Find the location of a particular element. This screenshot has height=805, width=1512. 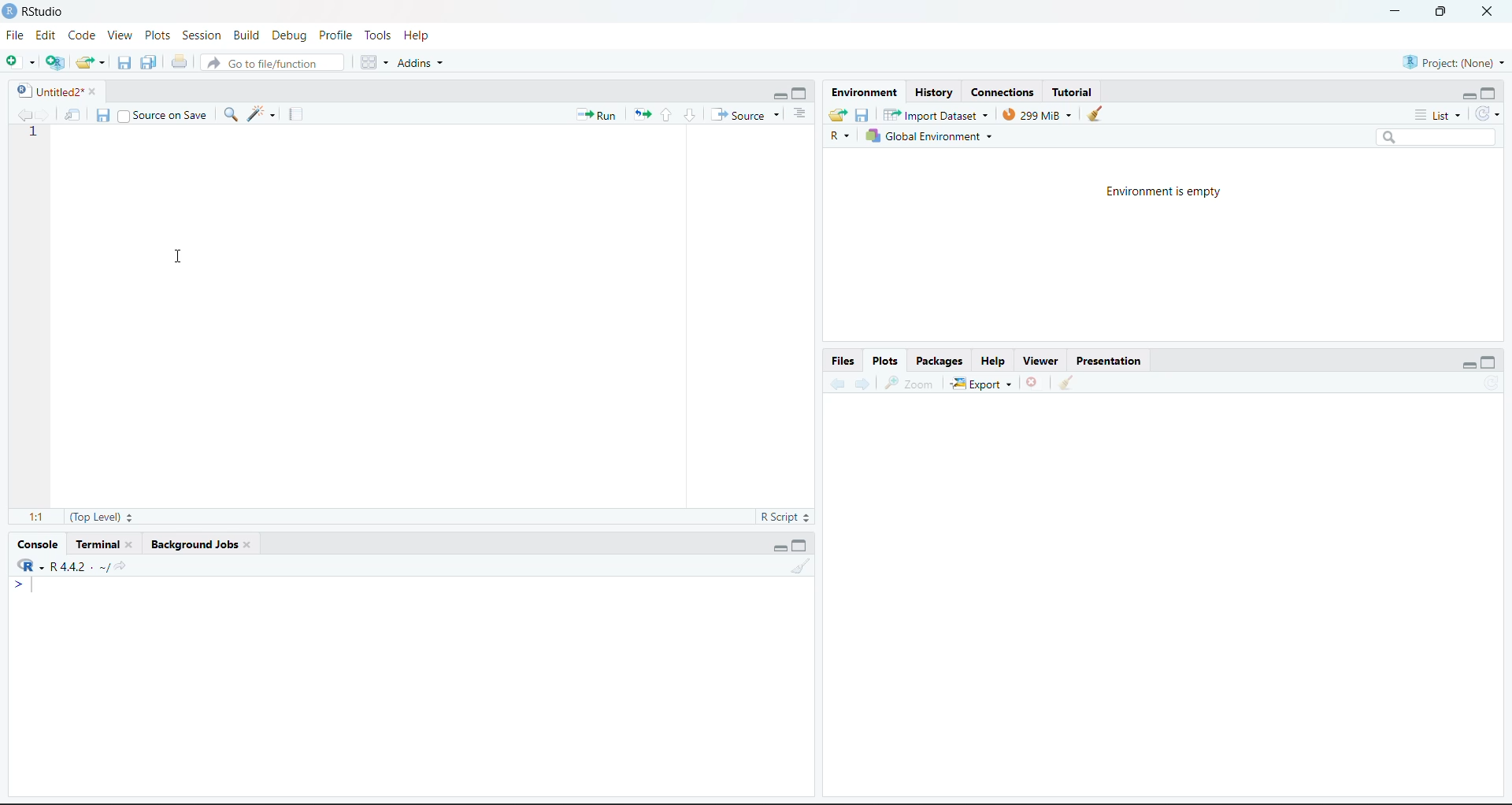

zoom is located at coordinates (907, 382).